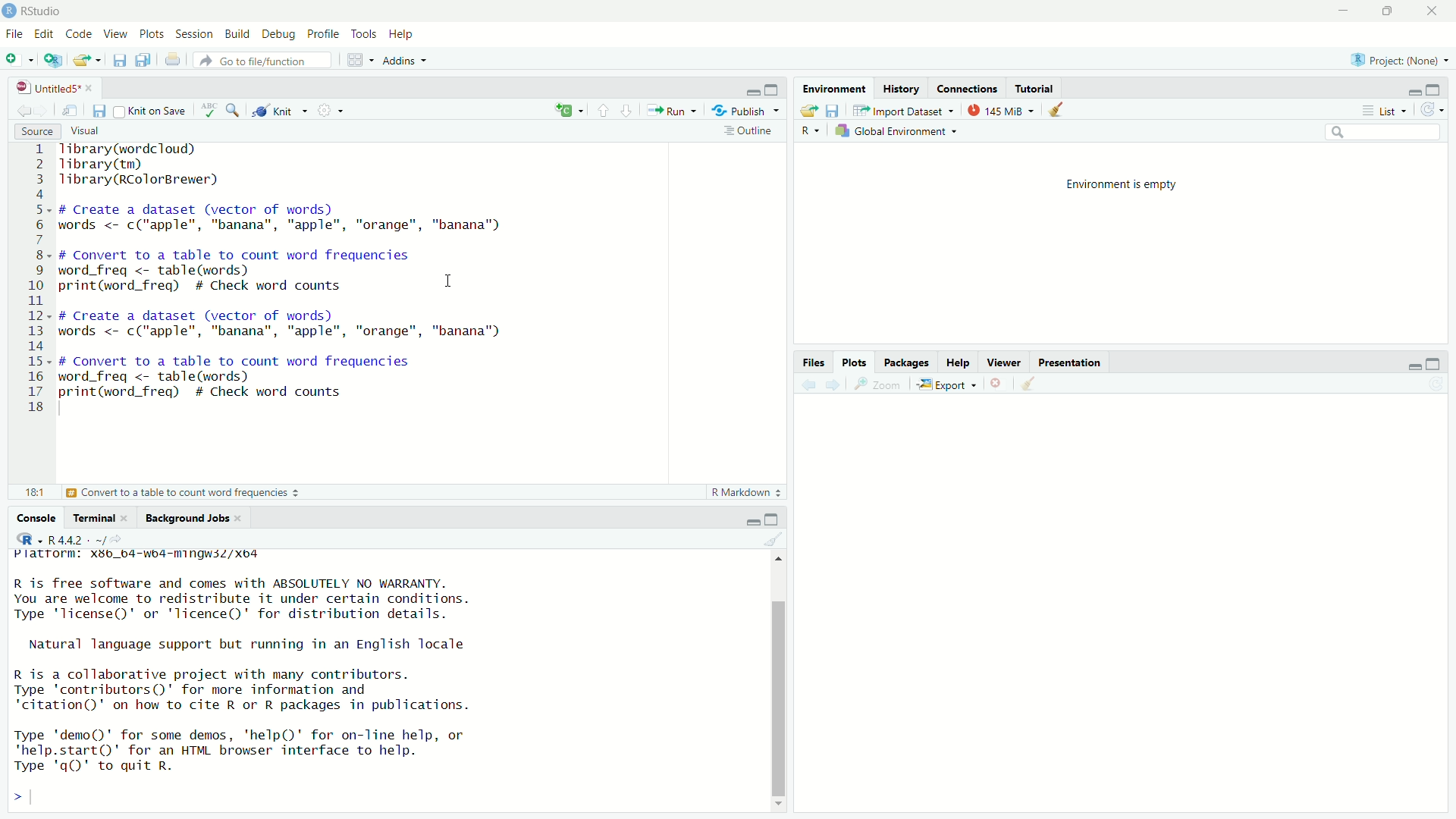 The height and width of the screenshot is (819, 1456). Describe the element at coordinates (86, 60) in the screenshot. I see `Open an existing file` at that location.